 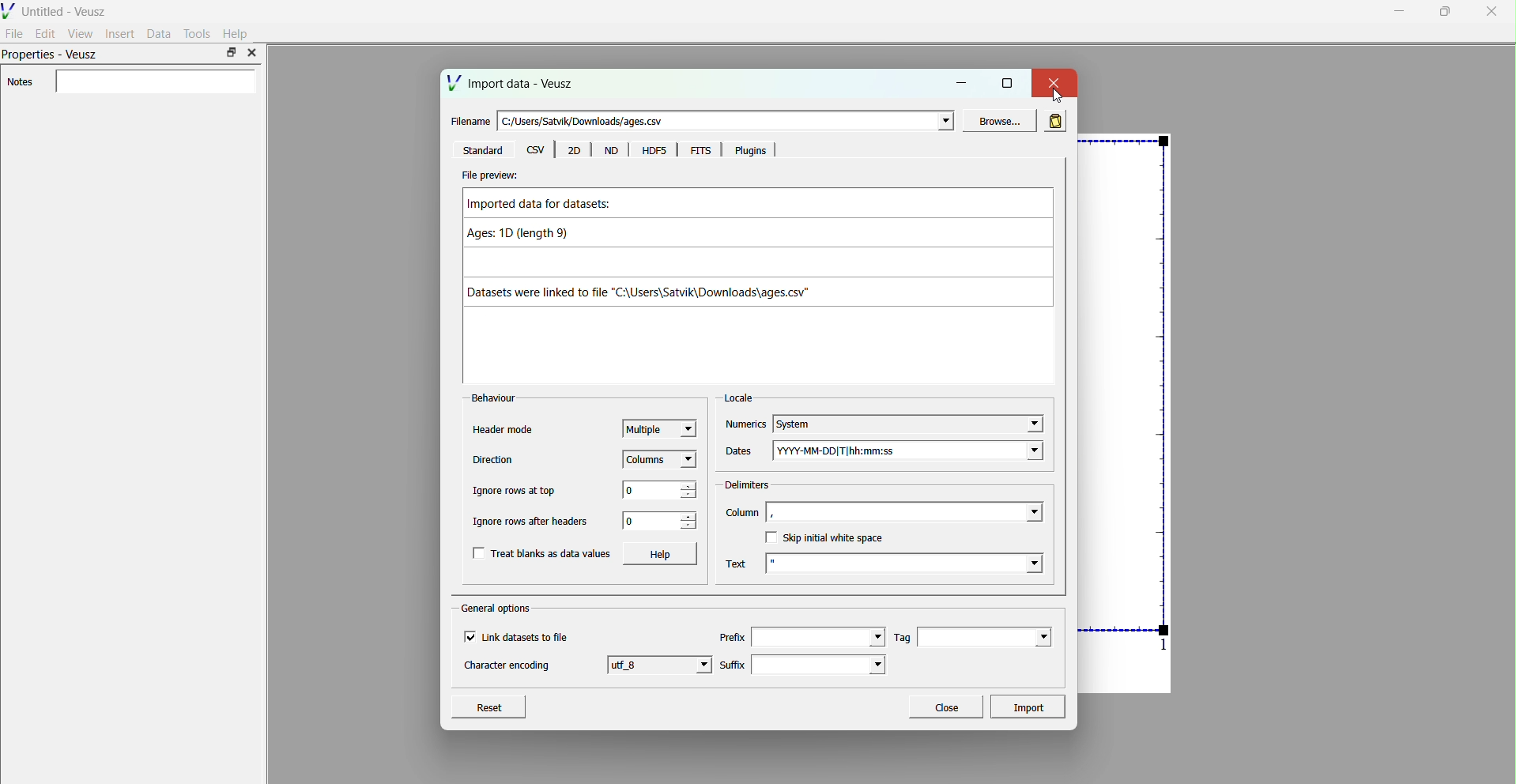 I want to click on close, so click(x=251, y=53).